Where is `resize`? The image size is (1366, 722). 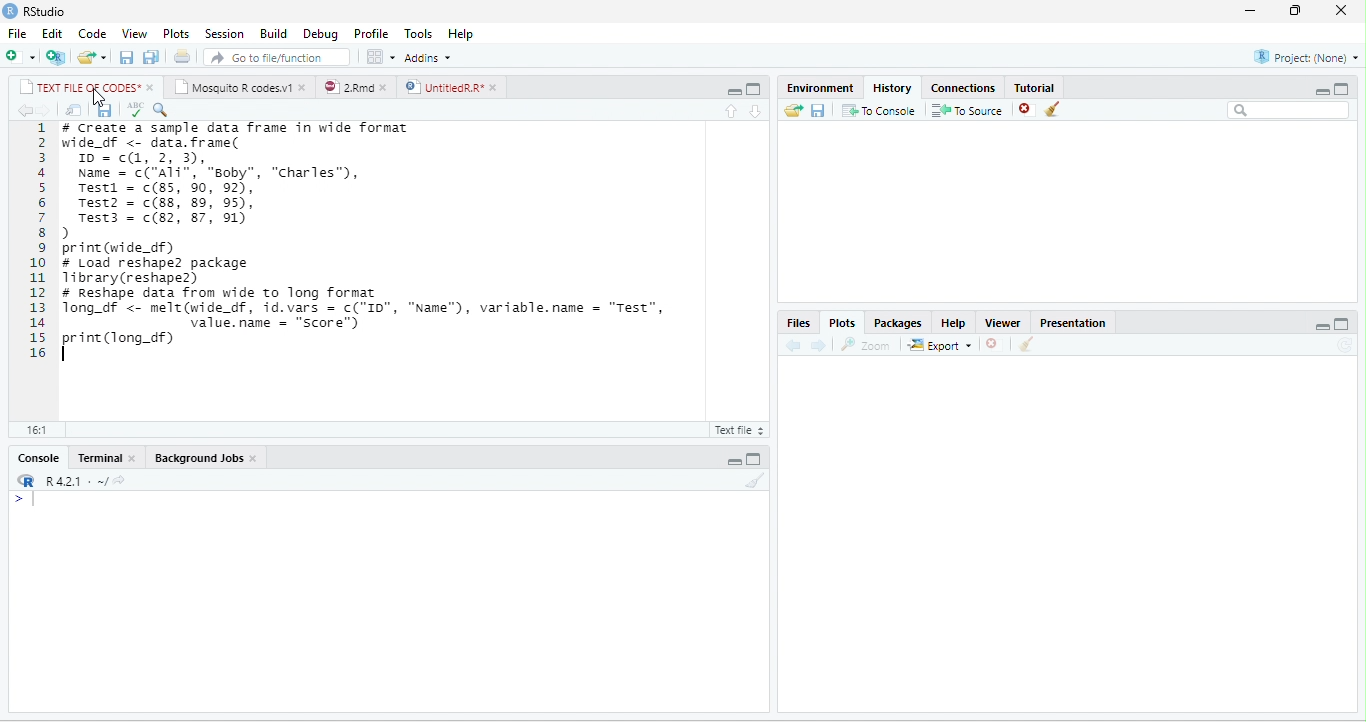 resize is located at coordinates (1295, 11).